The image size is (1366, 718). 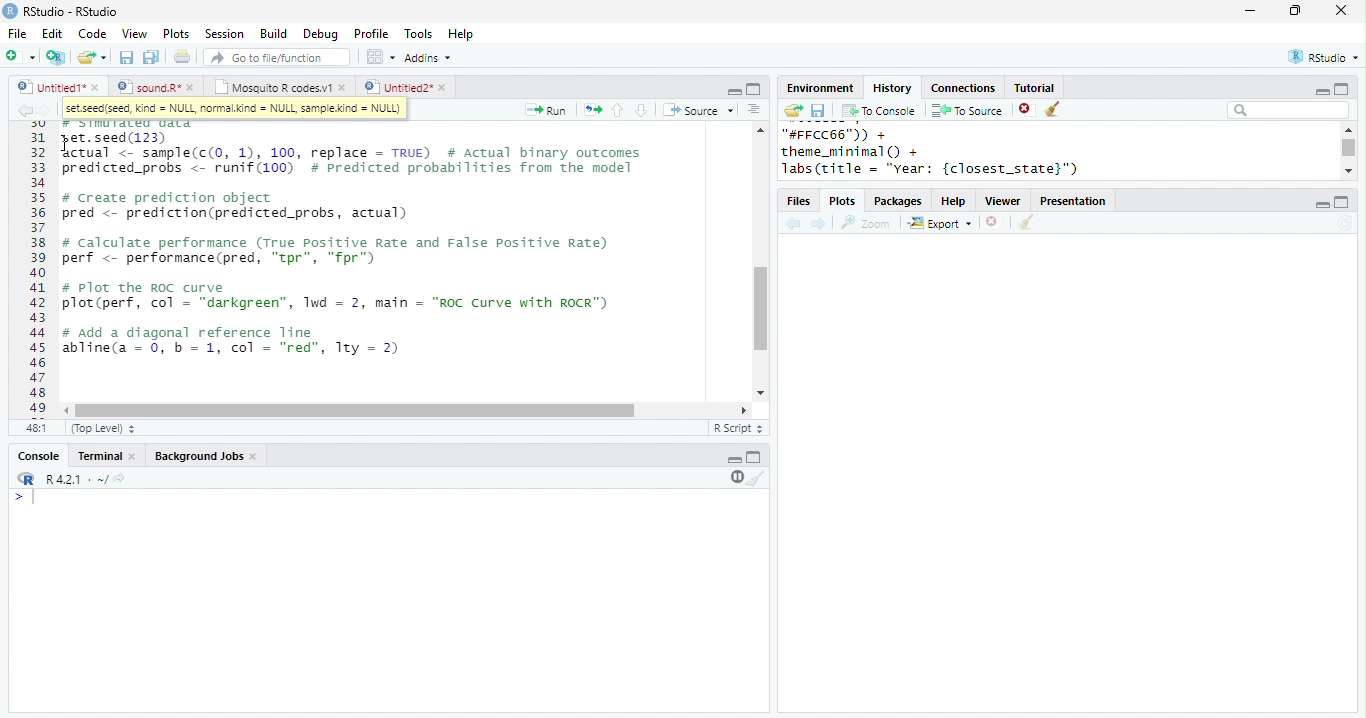 What do you see at coordinates (1295, 11) in the screenshot?
I see `resize` at bounding box center [1295, 11].